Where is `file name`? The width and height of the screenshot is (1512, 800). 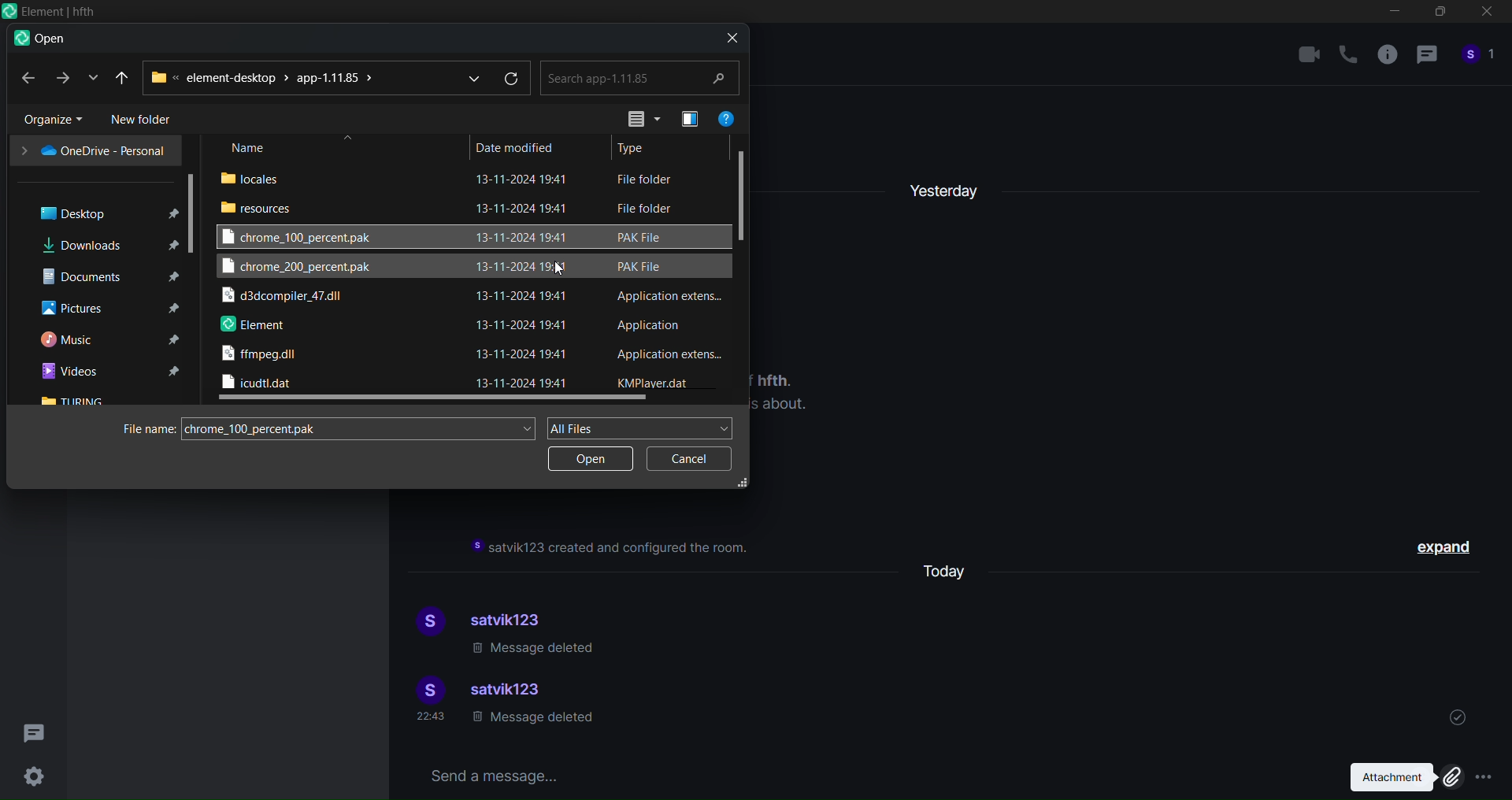
file name is located at coordinates (144, 429).